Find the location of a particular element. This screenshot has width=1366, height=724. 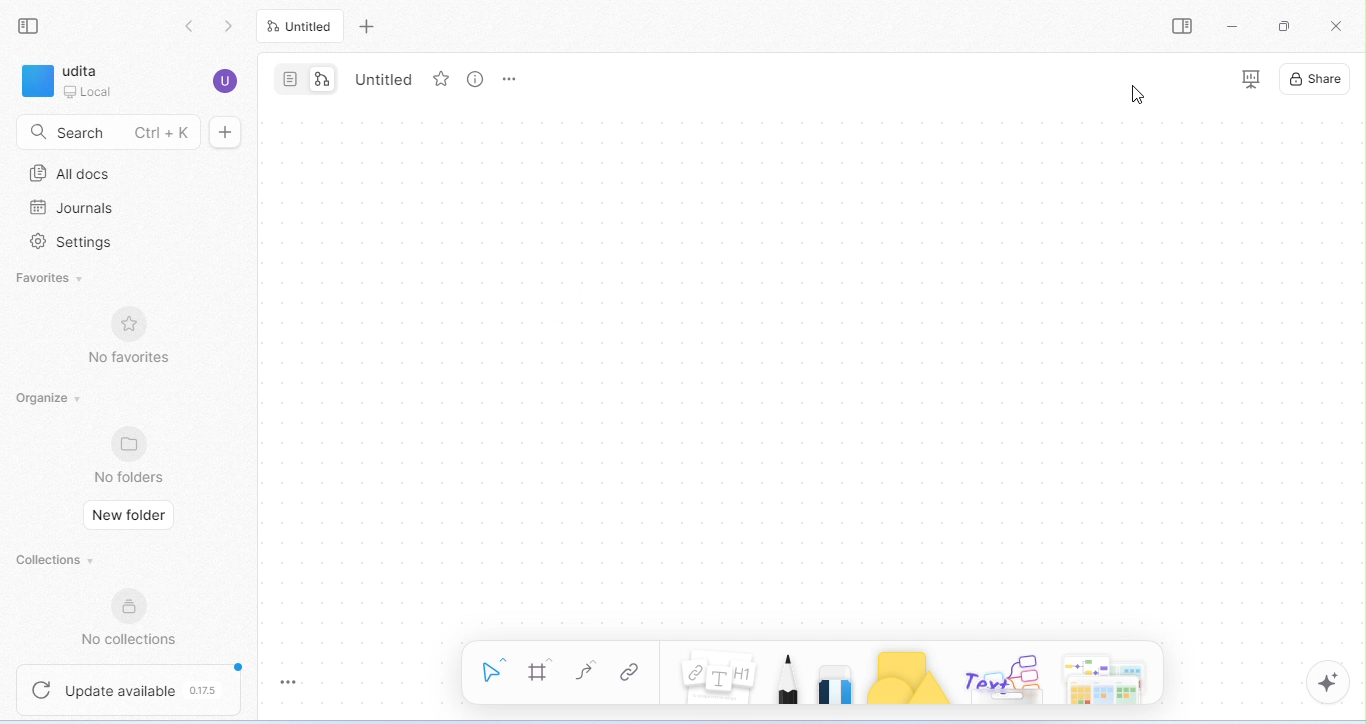

link is located at coordinates (637, 673).